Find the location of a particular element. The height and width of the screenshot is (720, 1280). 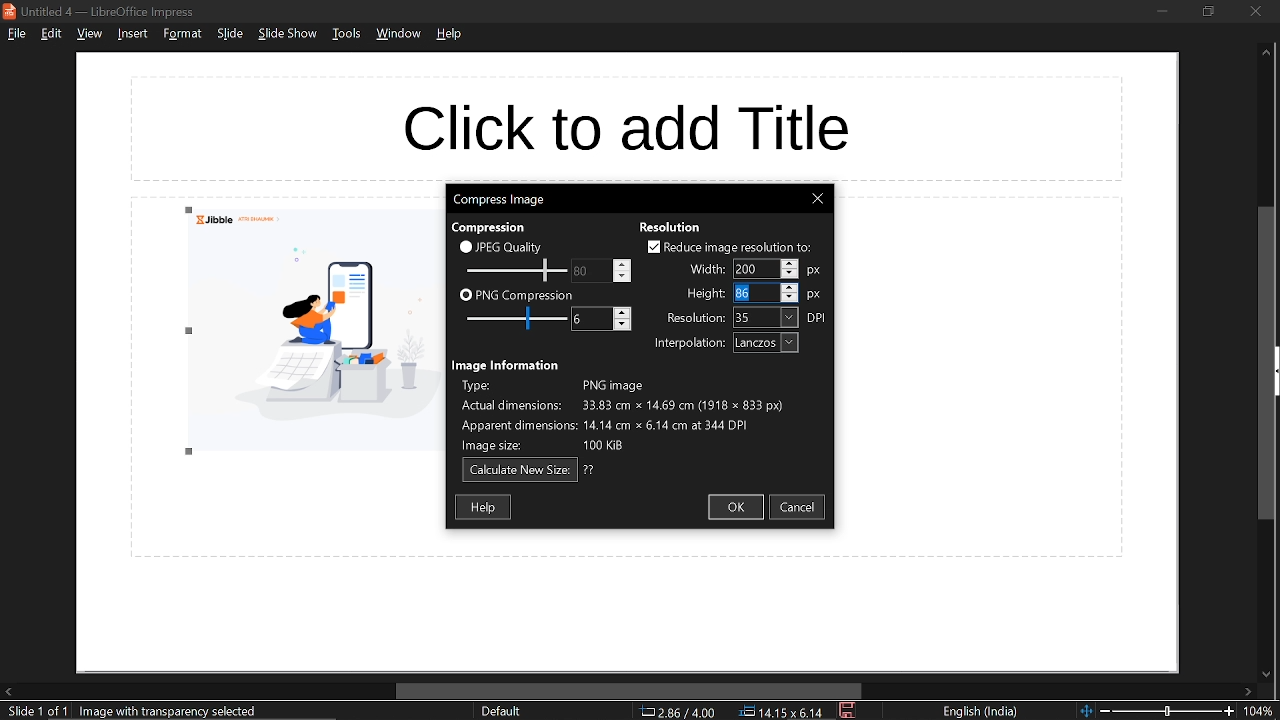

save is located at coordinates (849, 711).